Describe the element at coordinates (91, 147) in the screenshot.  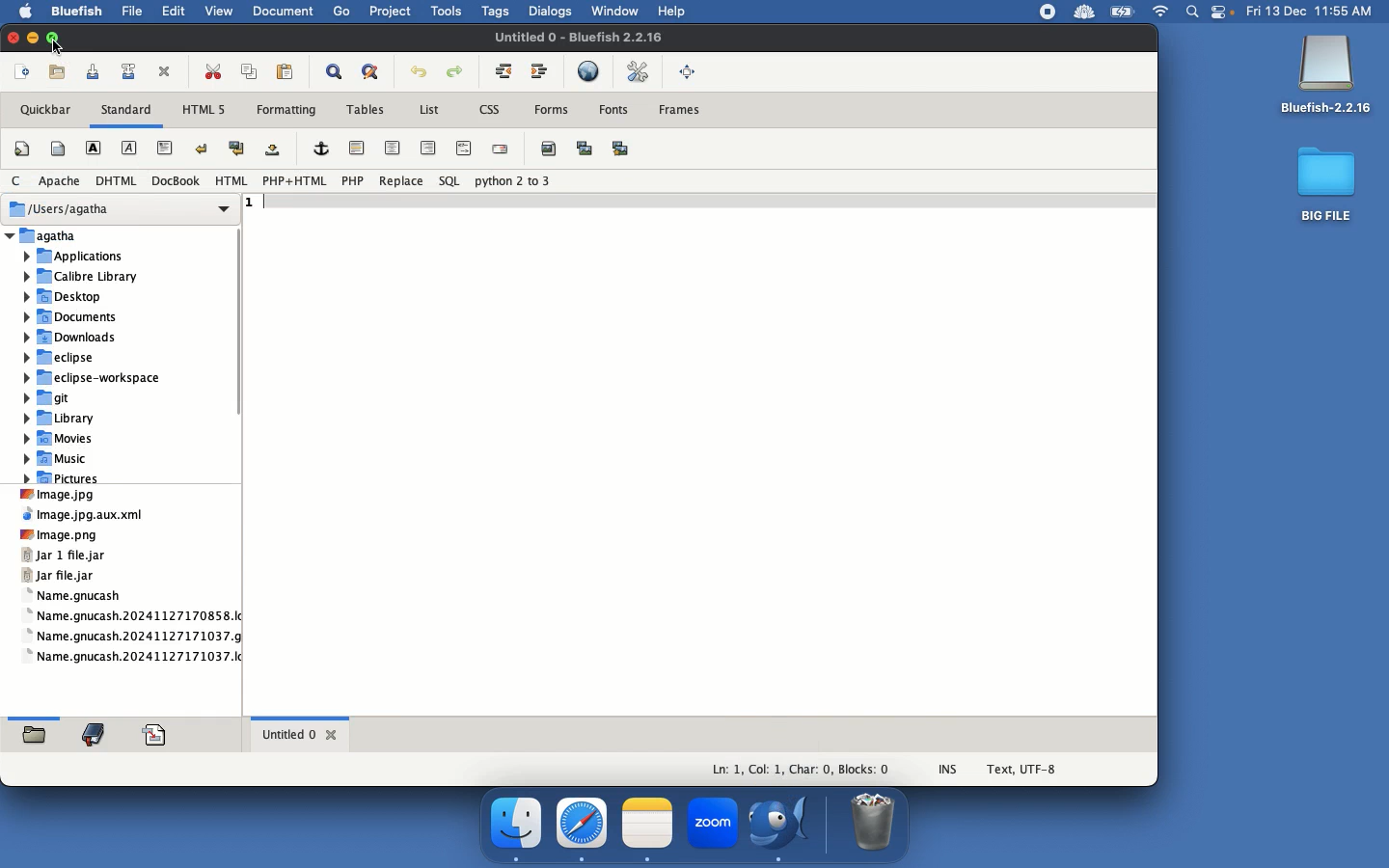
I see `Strong` at that location.